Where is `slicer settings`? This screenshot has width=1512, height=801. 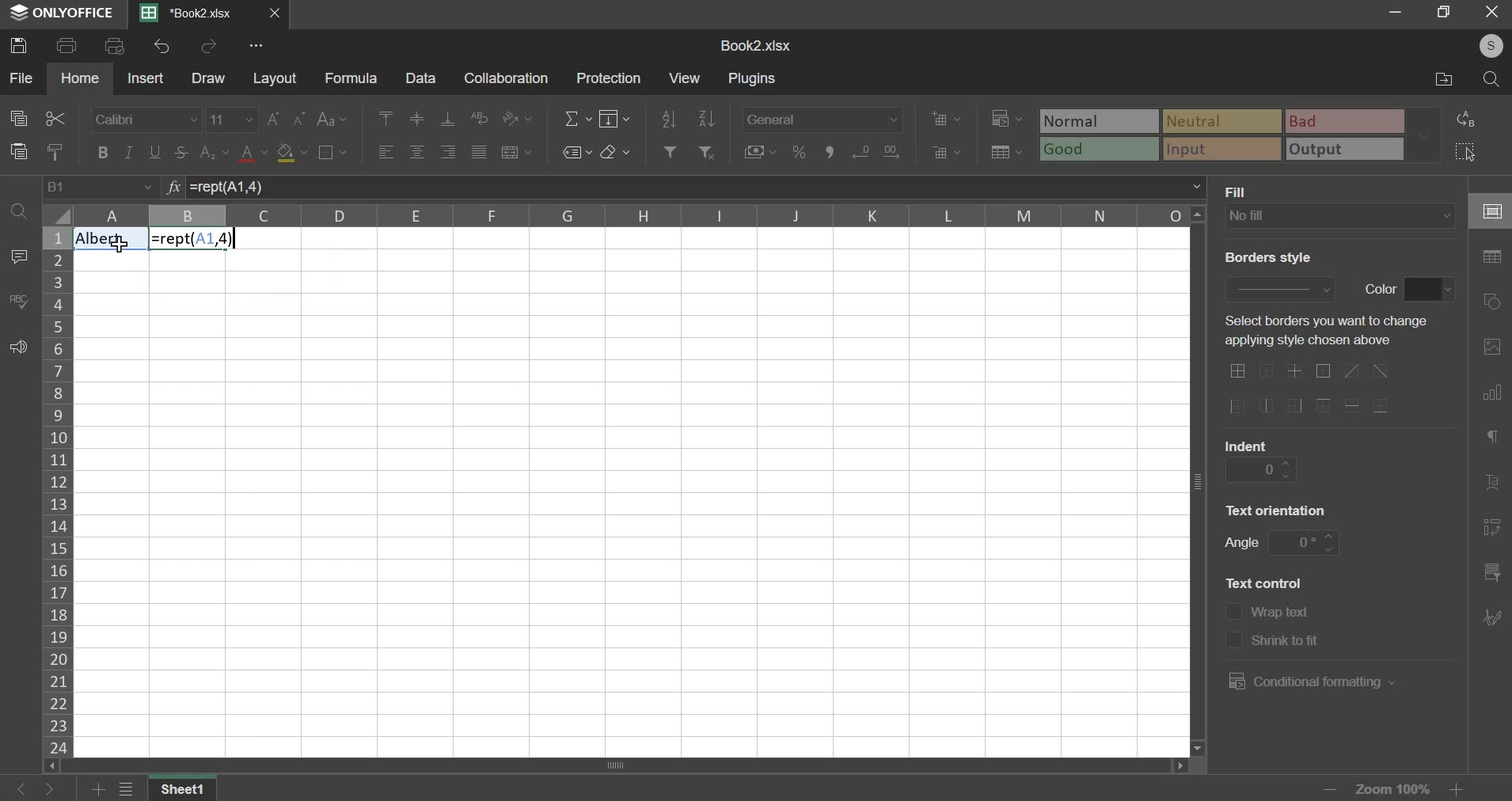
slicer settings is located at coordinates (1493, 570).